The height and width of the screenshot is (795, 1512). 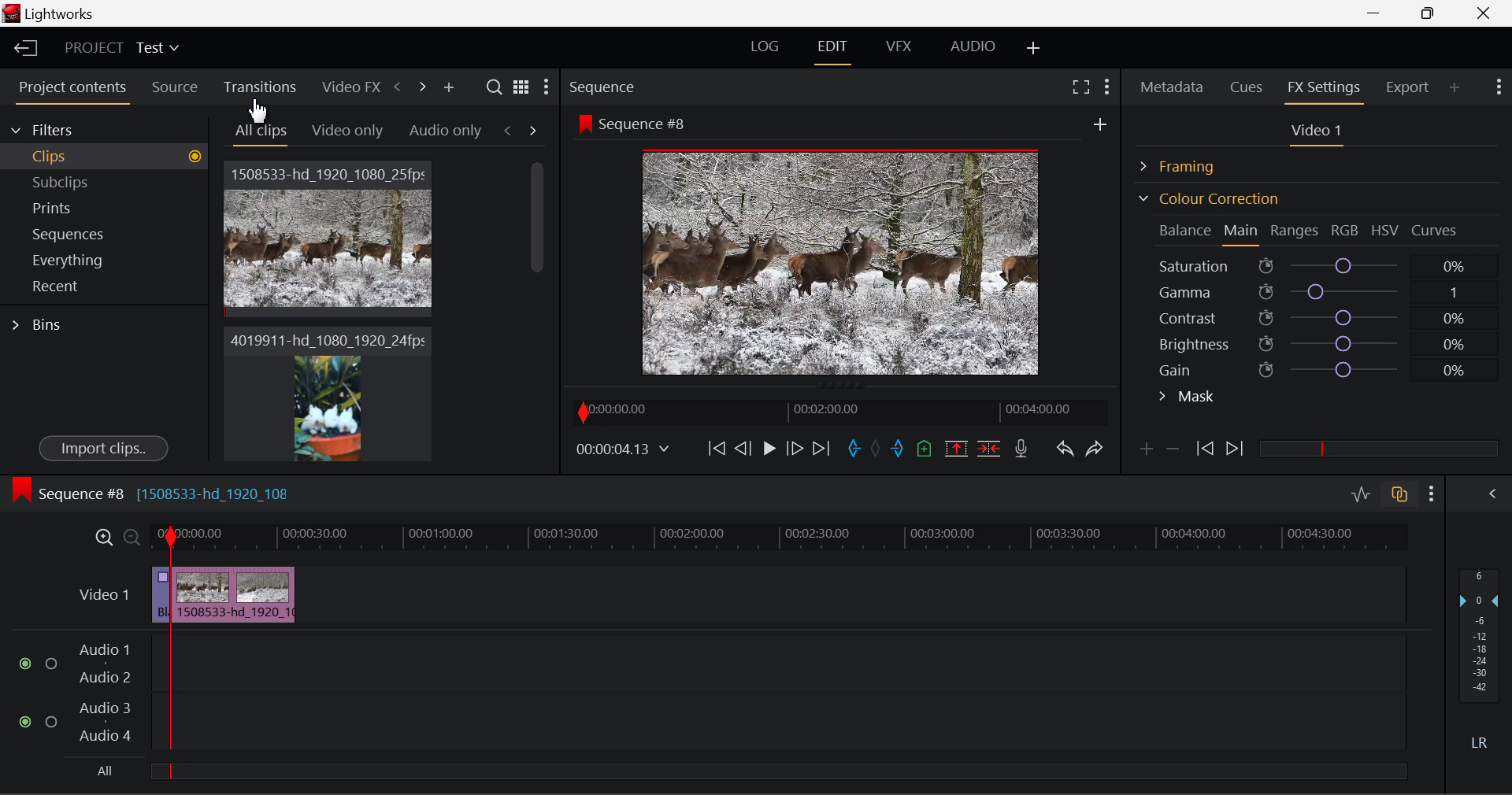 I want to click on Scroll Bar, so click(x=538, y=299).